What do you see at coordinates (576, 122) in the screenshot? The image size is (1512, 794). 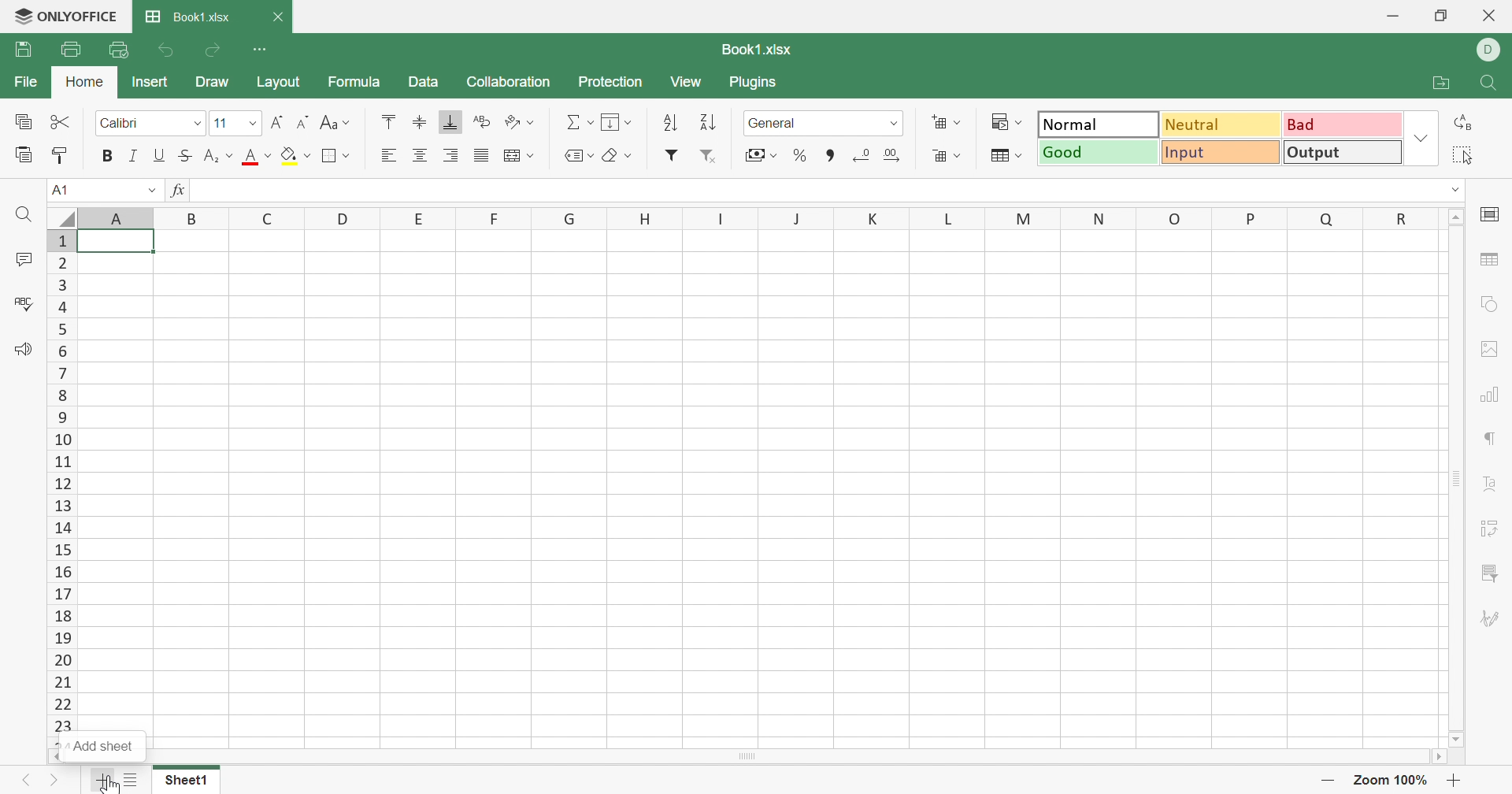 I see `Summation` at bounding box center [576, 122].